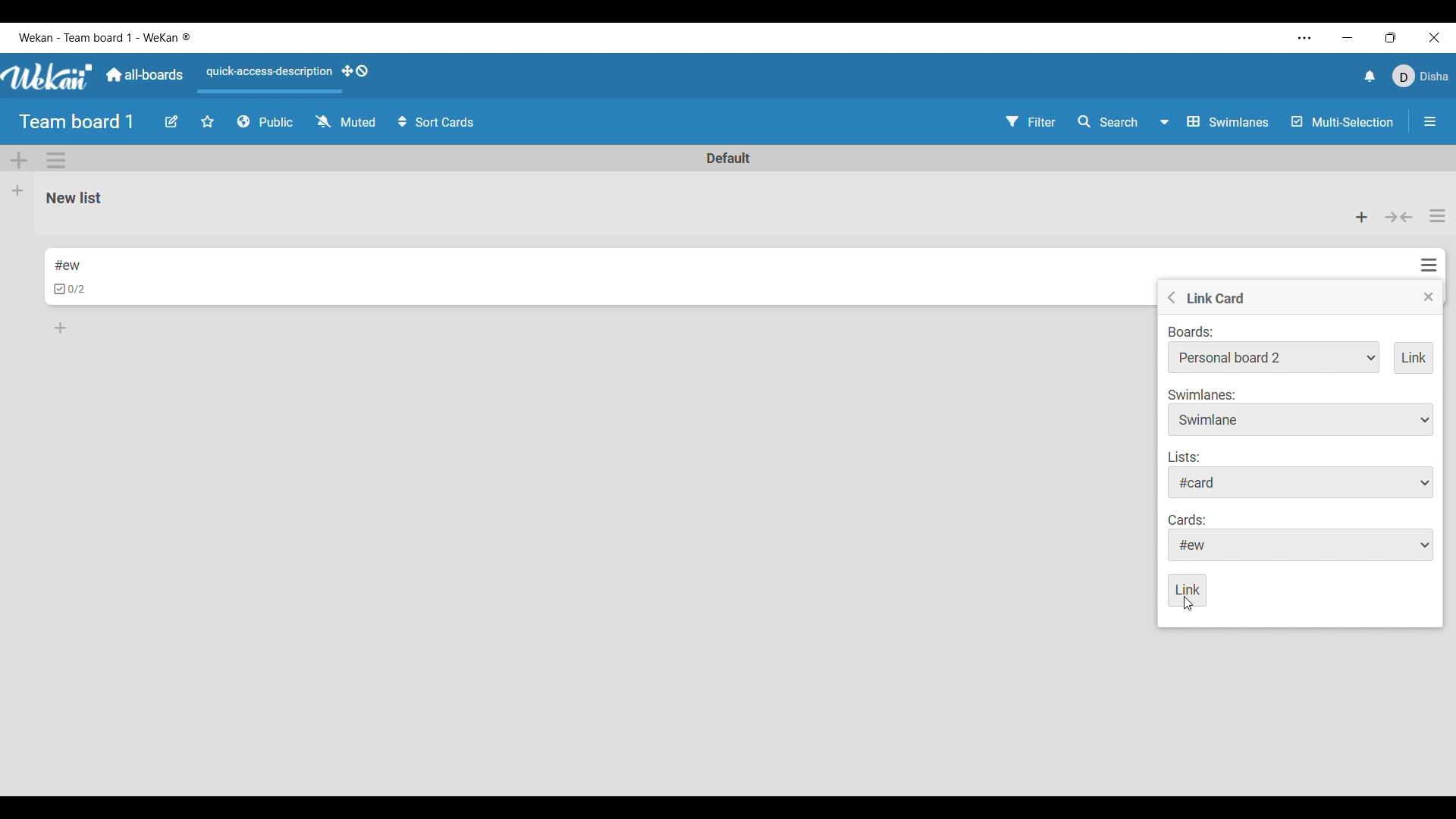  Describe the element at coordinates (208, 121) in the screenshot. I see `Star board` at that location.